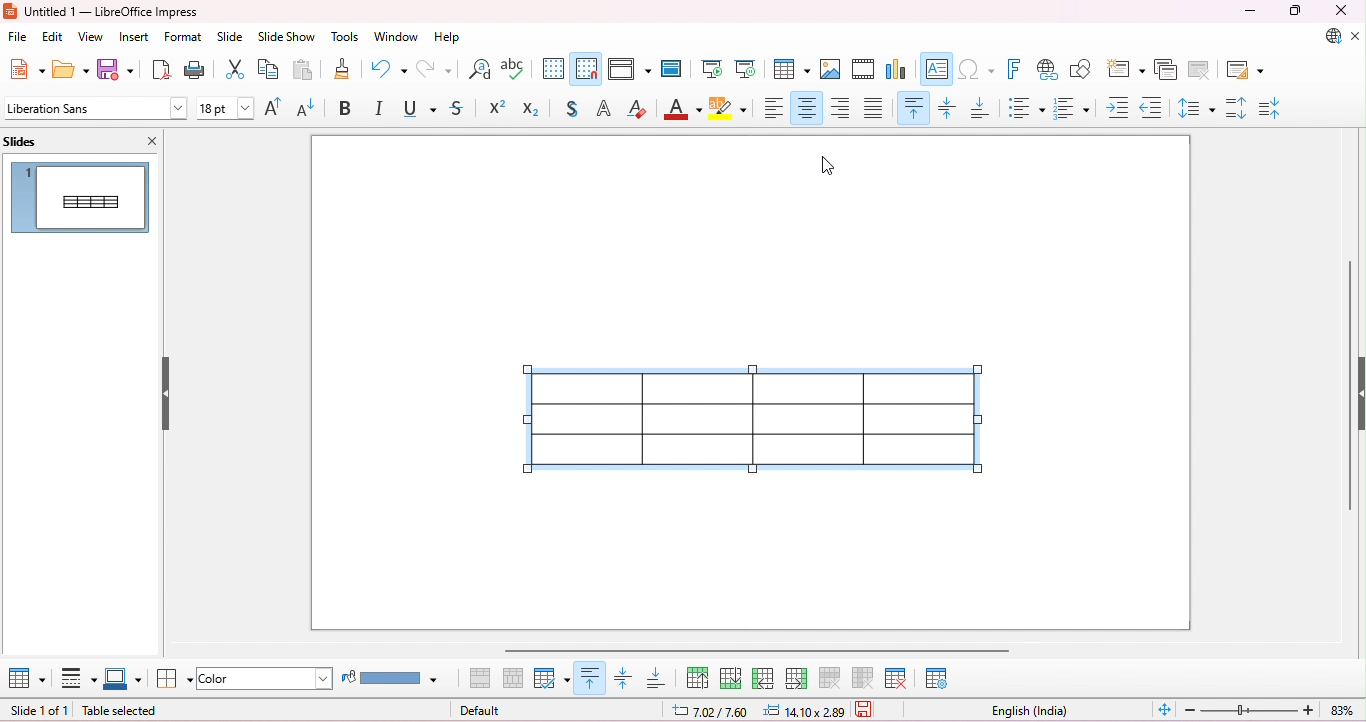 The image size is (1366, 722). Describe the element at coordinates (96, 107) in the screenshot. I see `font style` at that location.